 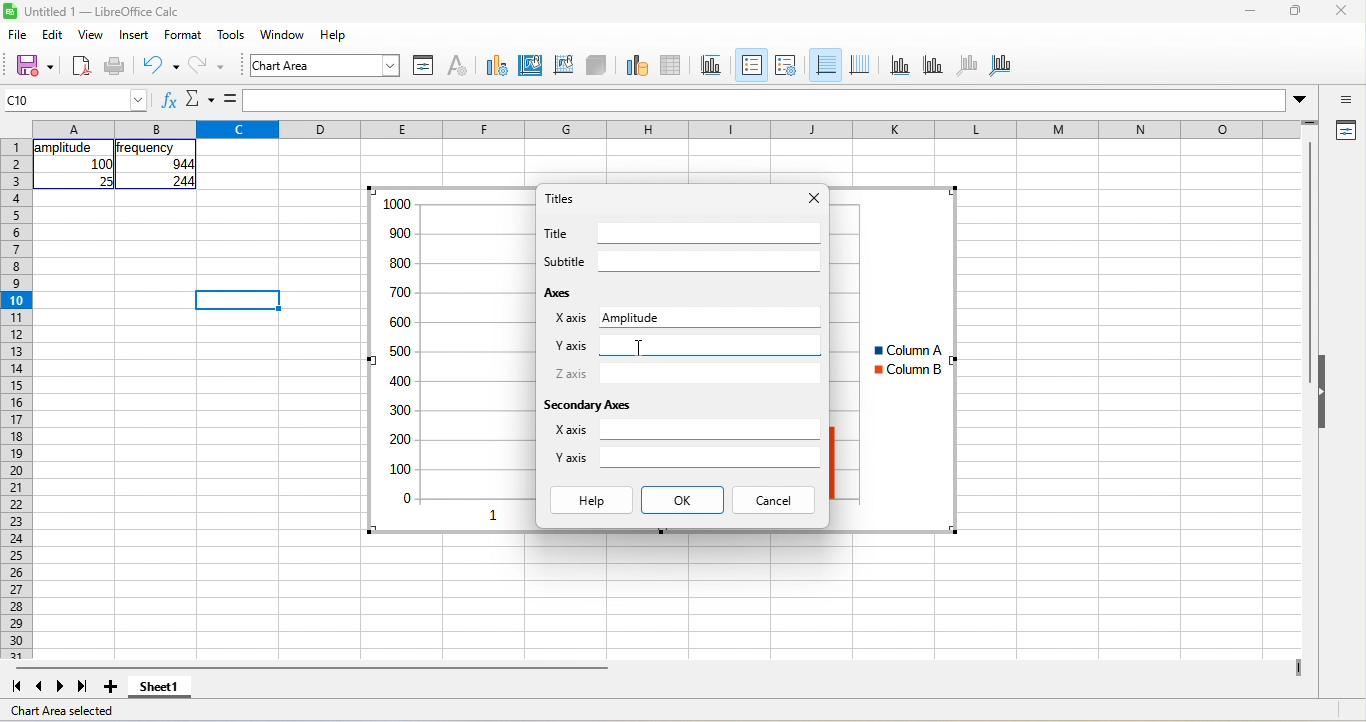 I want to click on Y axis, so click(x=571, y=457).